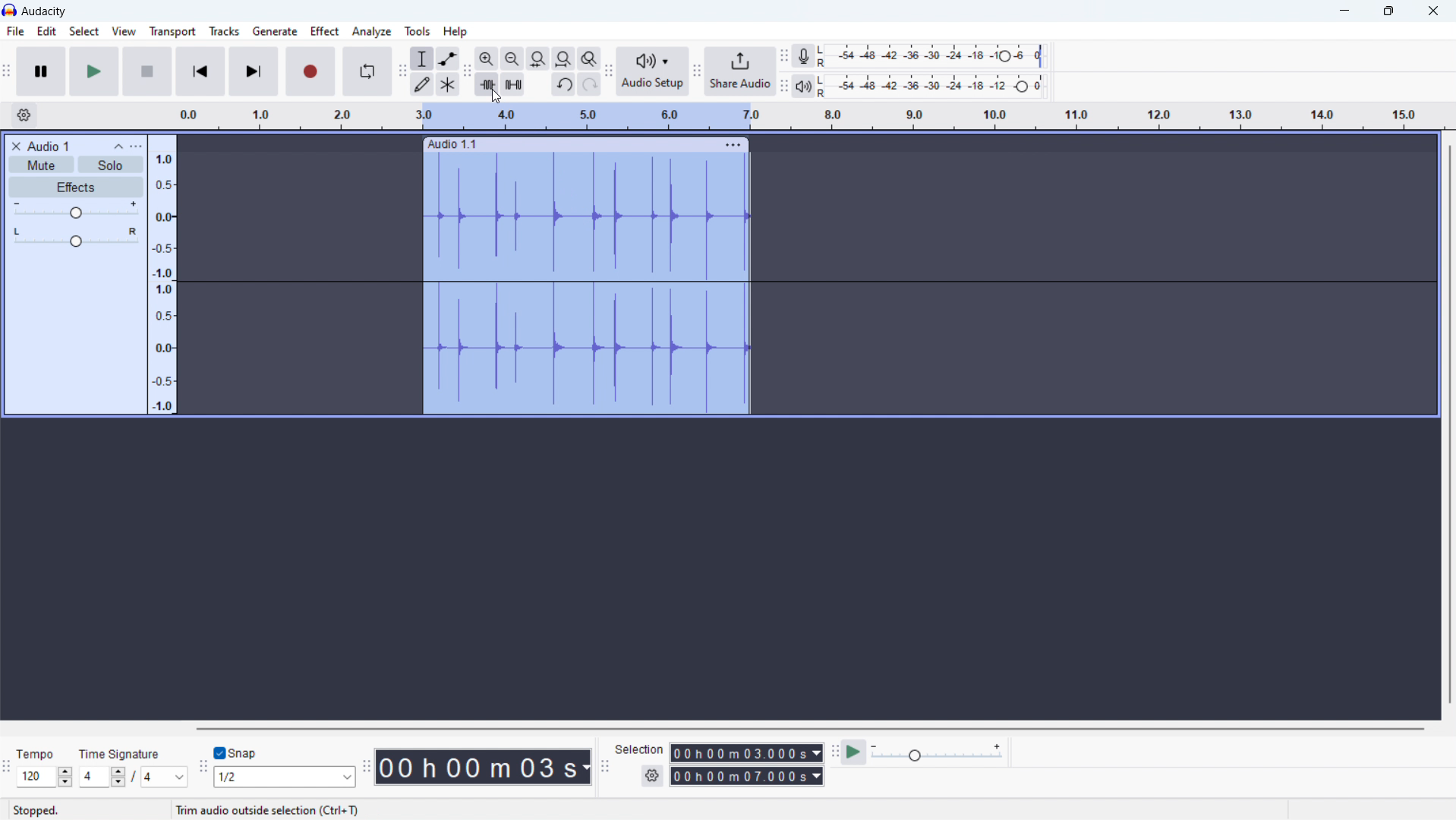  What do you see at coordinates (740, 71) in the screenshot?
I see `share audio ` at bounding box center [740, 71].